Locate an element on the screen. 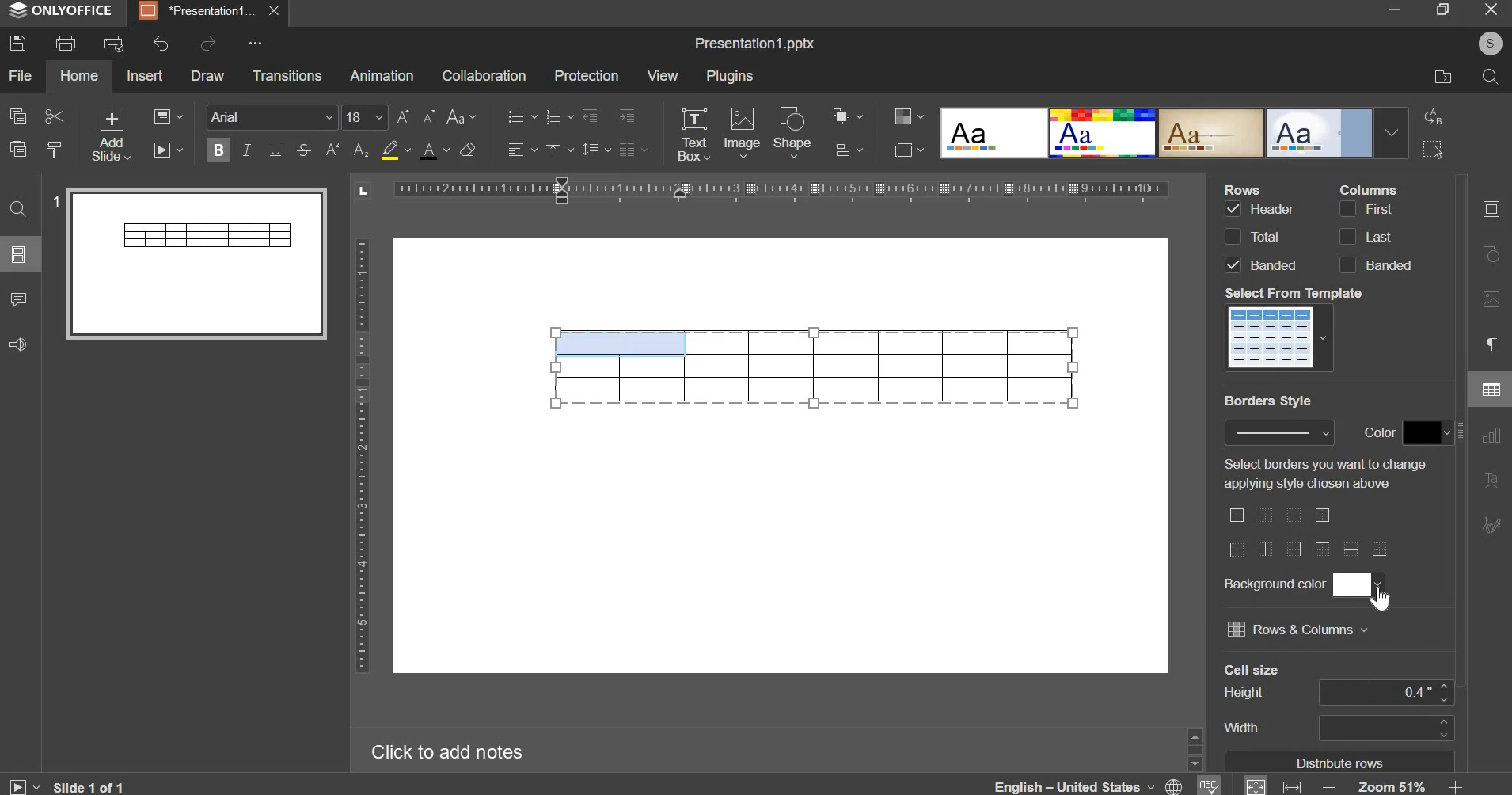  Border Style is located at coordinates (1268, 401).